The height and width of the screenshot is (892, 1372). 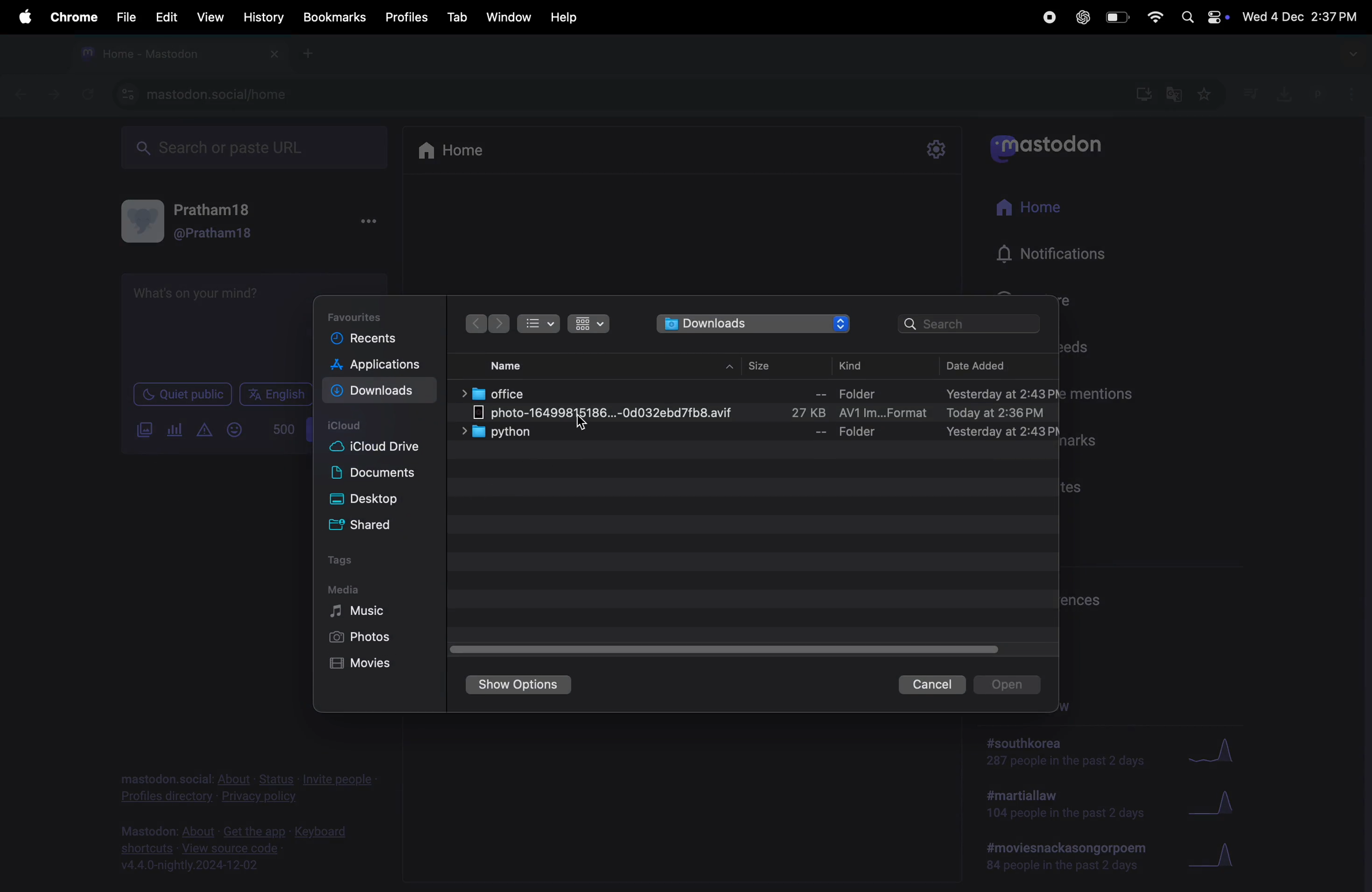 What do you see at coordinates (932, 685) in the screenshot?
I see `cancel` at bounding box center [932, 685].